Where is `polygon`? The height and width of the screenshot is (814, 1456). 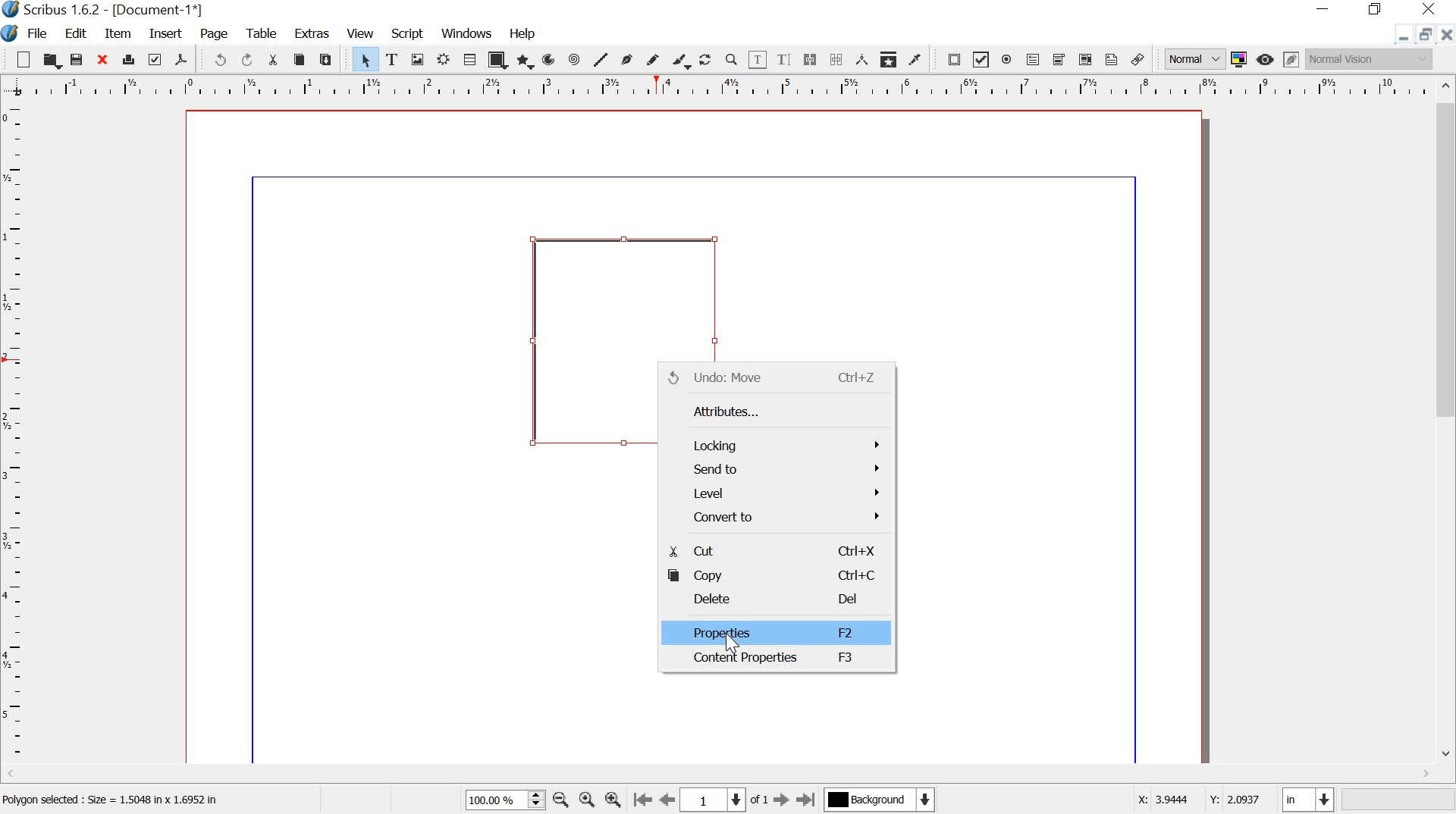
polygon is located at coordinates (526, 61).